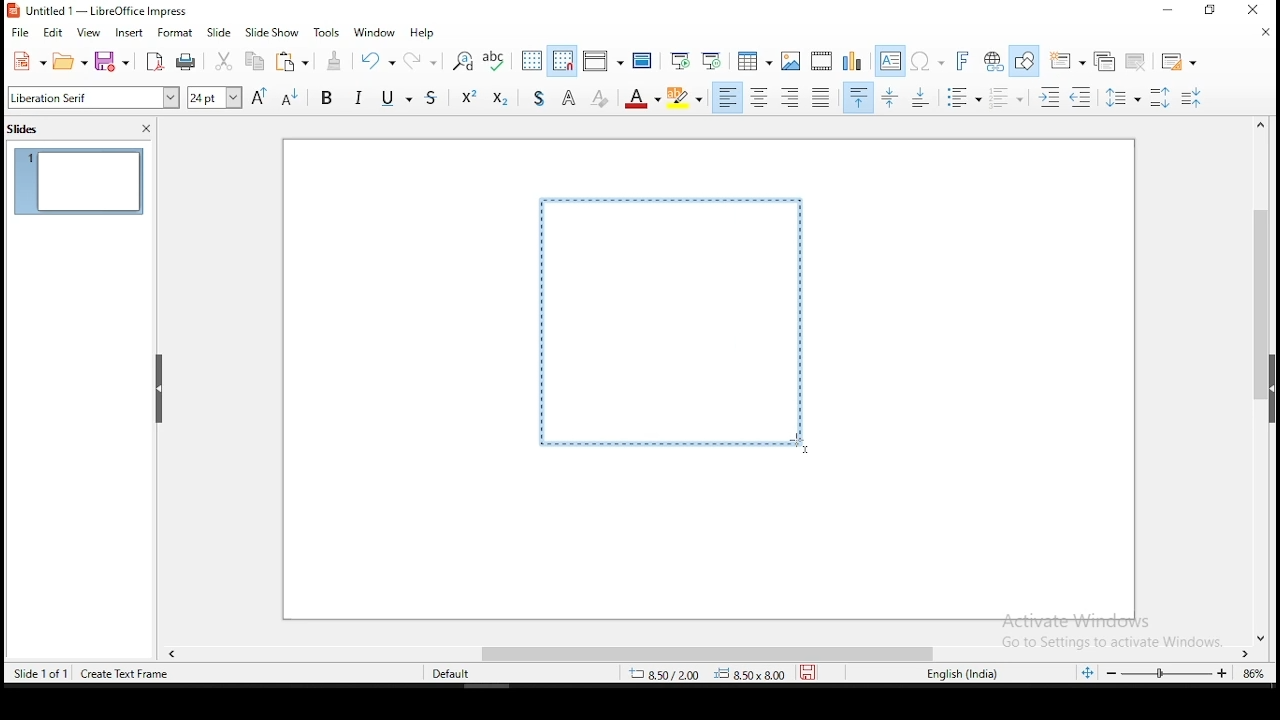 The width and height of the screenshot is (1280, 720). I want to click on slide 1 of 1, so click(46, 676).